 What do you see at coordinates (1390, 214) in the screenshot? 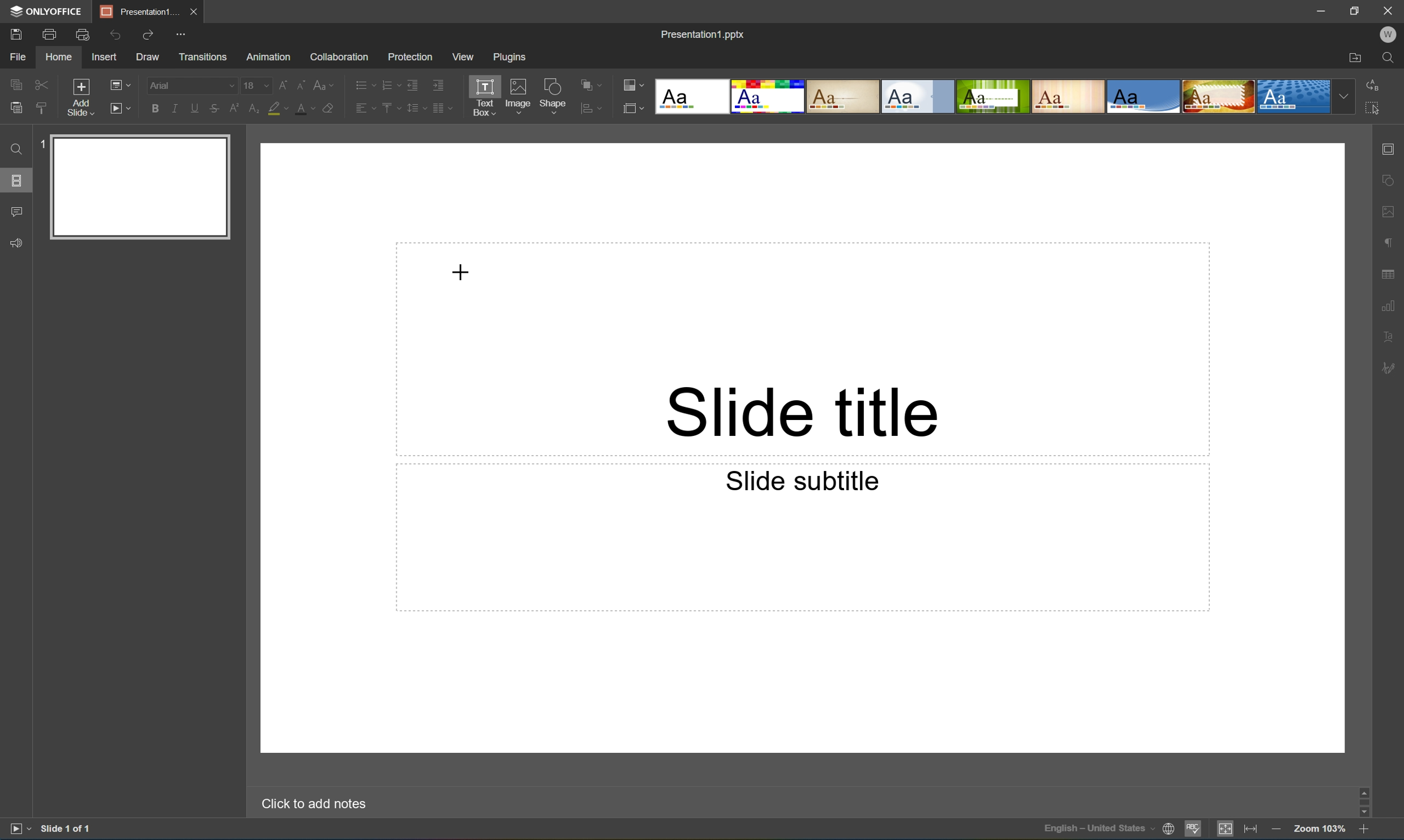
I see `image settings` at bounding box center [1390, 214].